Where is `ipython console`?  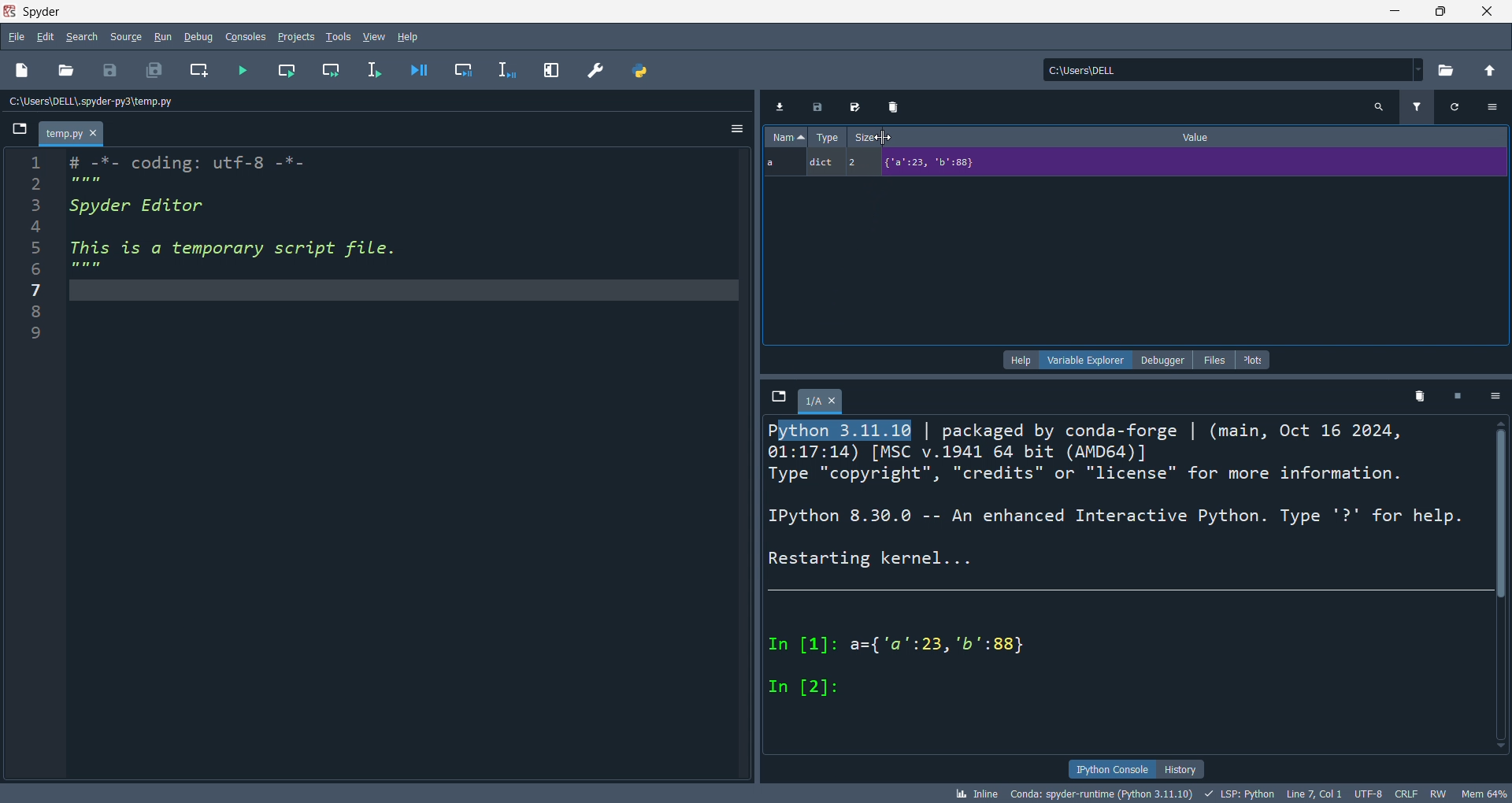
ipython console is located at coordinates (1109, 769).